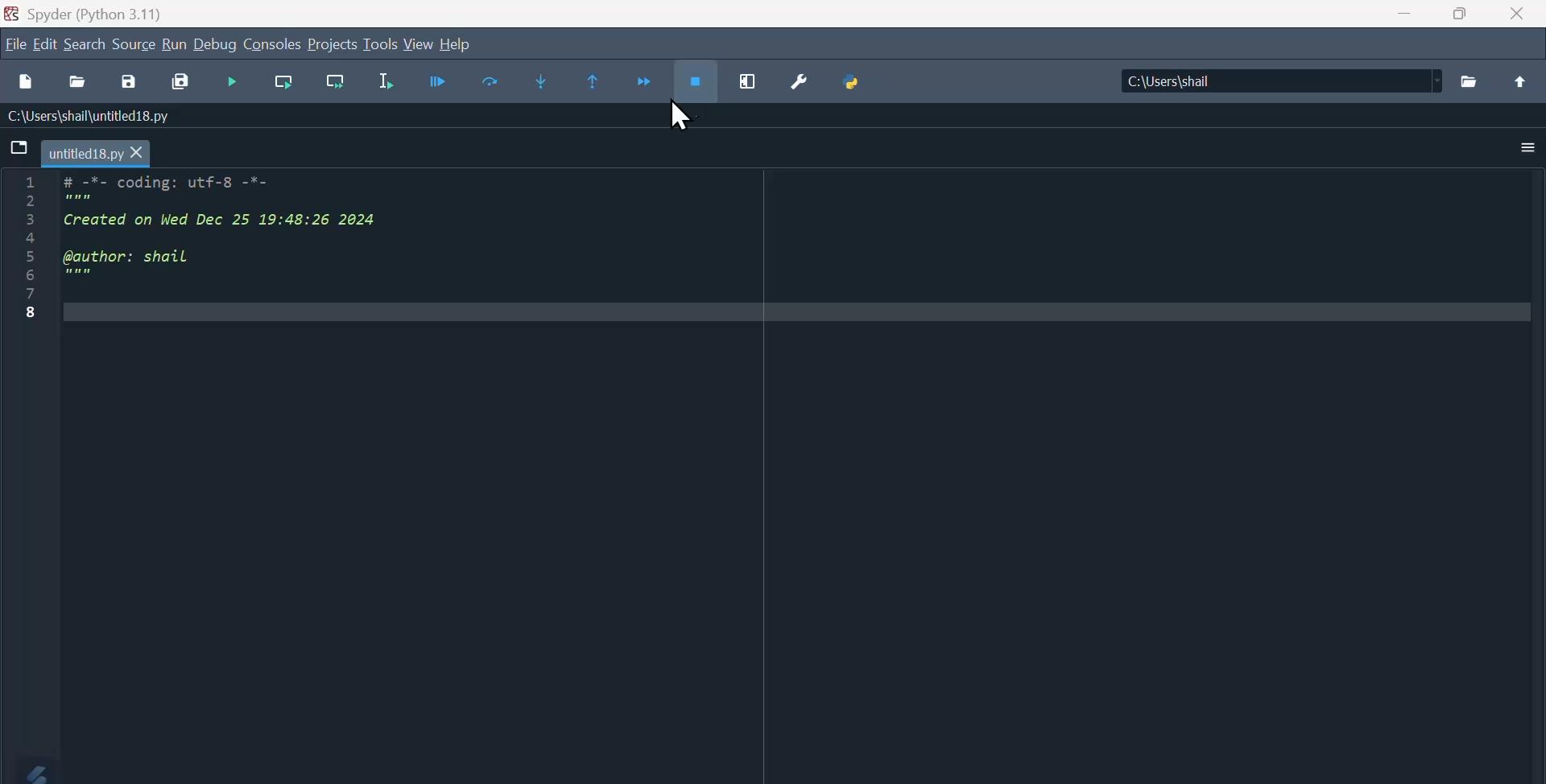  Describe the element at coordinates (48, 43) in the screenshot. I see `Edit` at that location.